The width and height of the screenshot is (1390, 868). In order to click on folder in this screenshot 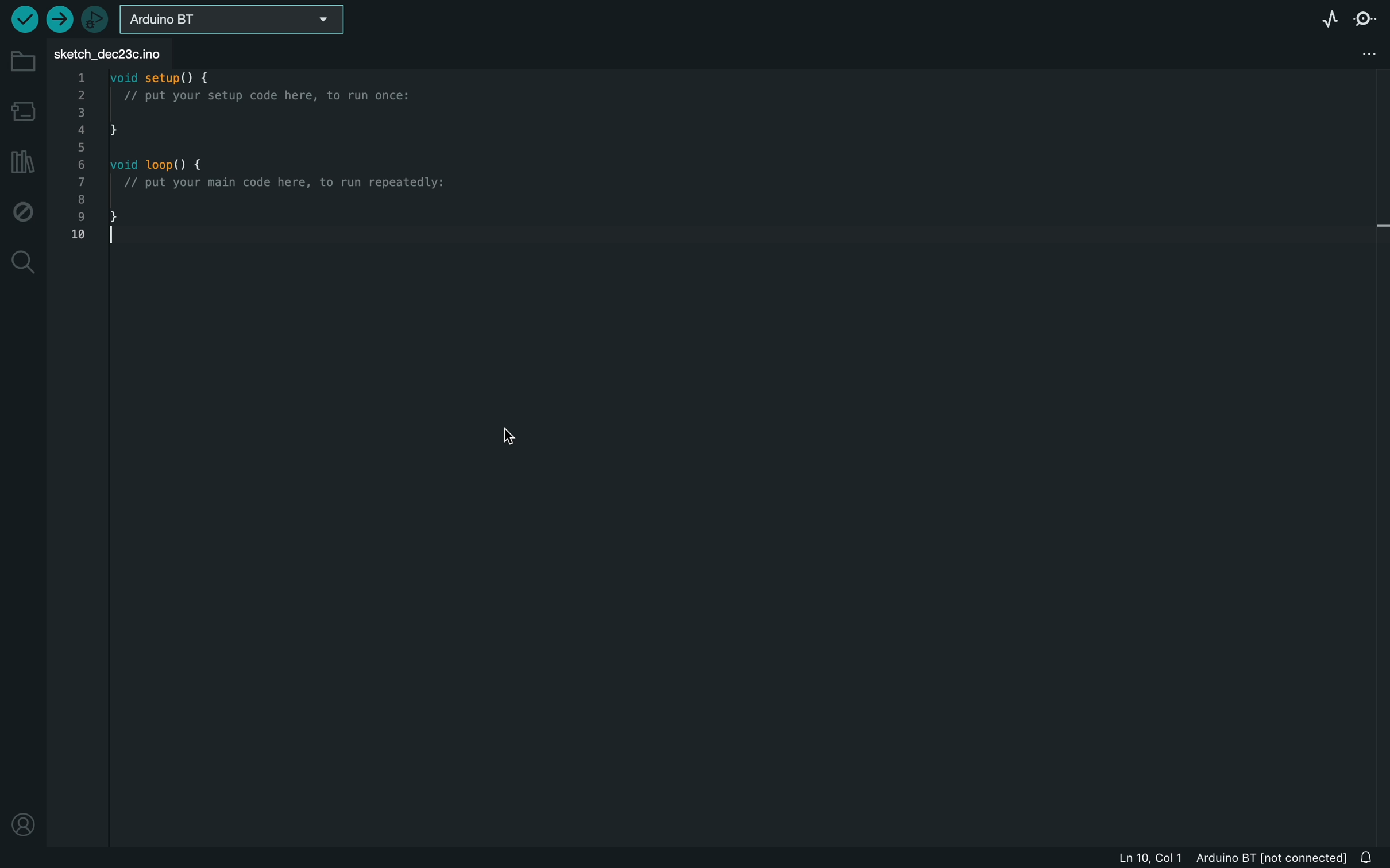, I will do `click(21, 61)`.